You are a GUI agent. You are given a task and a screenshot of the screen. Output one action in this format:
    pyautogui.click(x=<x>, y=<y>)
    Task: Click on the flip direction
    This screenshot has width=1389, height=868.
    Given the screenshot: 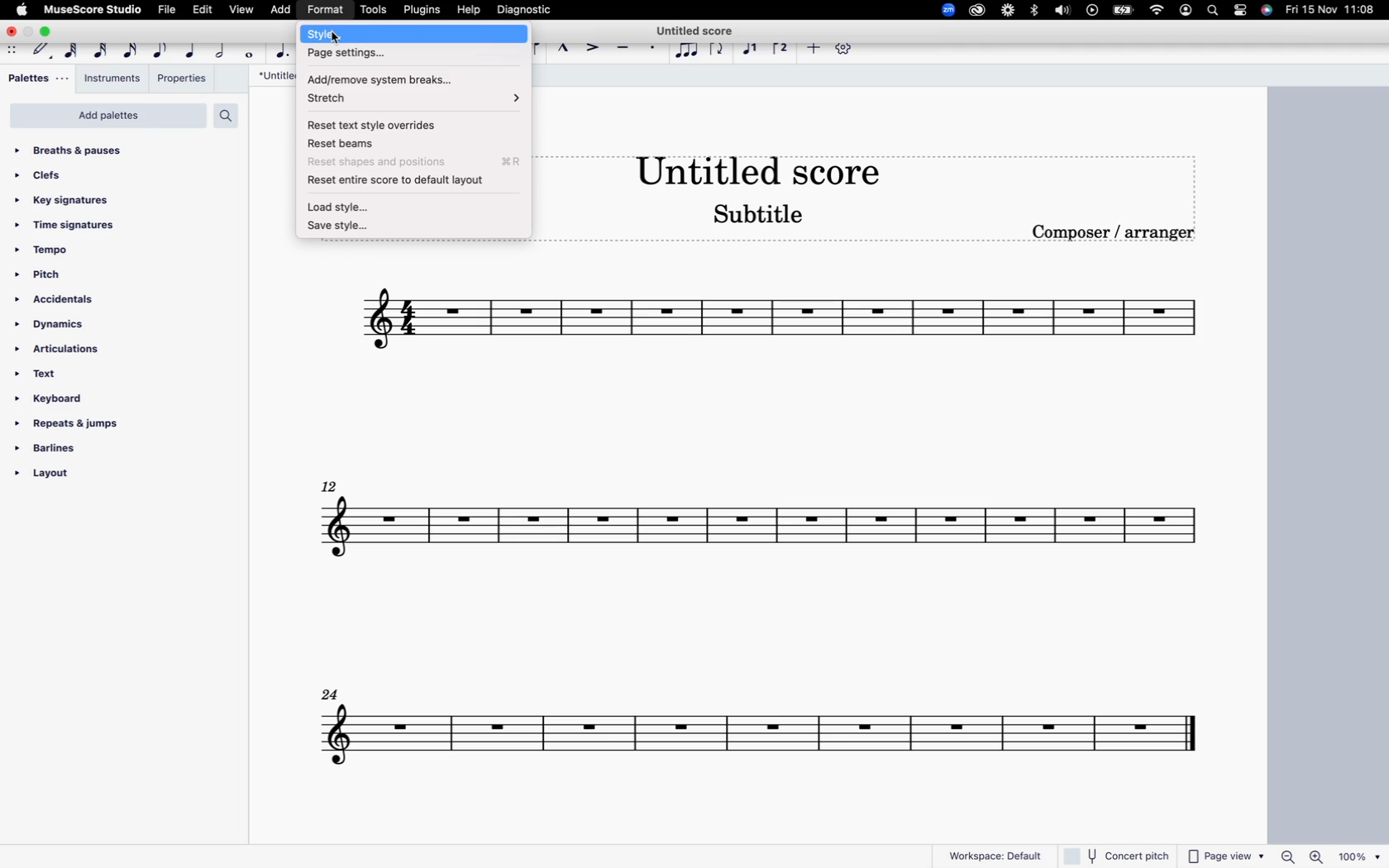 What is the action you would take?
    pyautogui.click(x=718, y=53)
    